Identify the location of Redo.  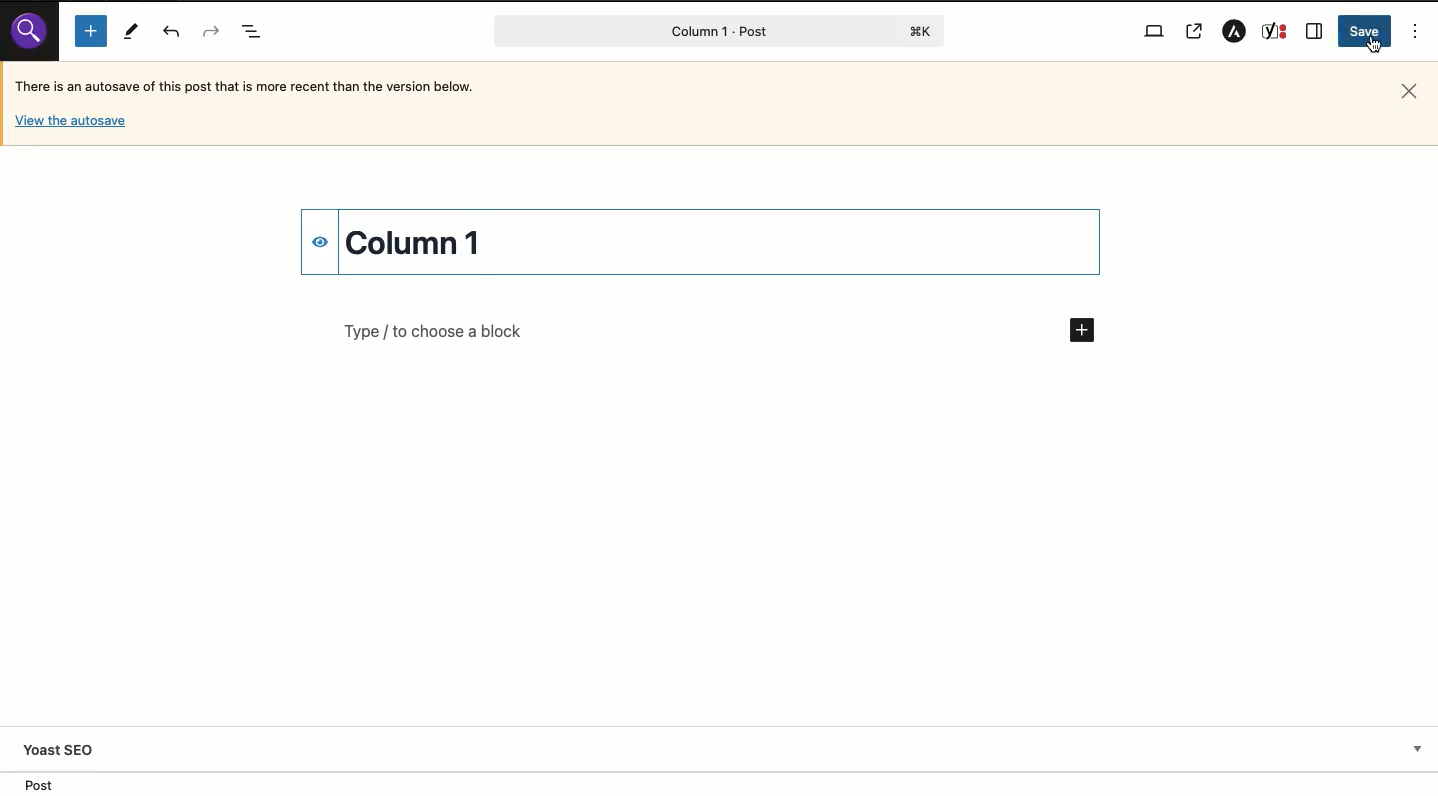
(212, 31).